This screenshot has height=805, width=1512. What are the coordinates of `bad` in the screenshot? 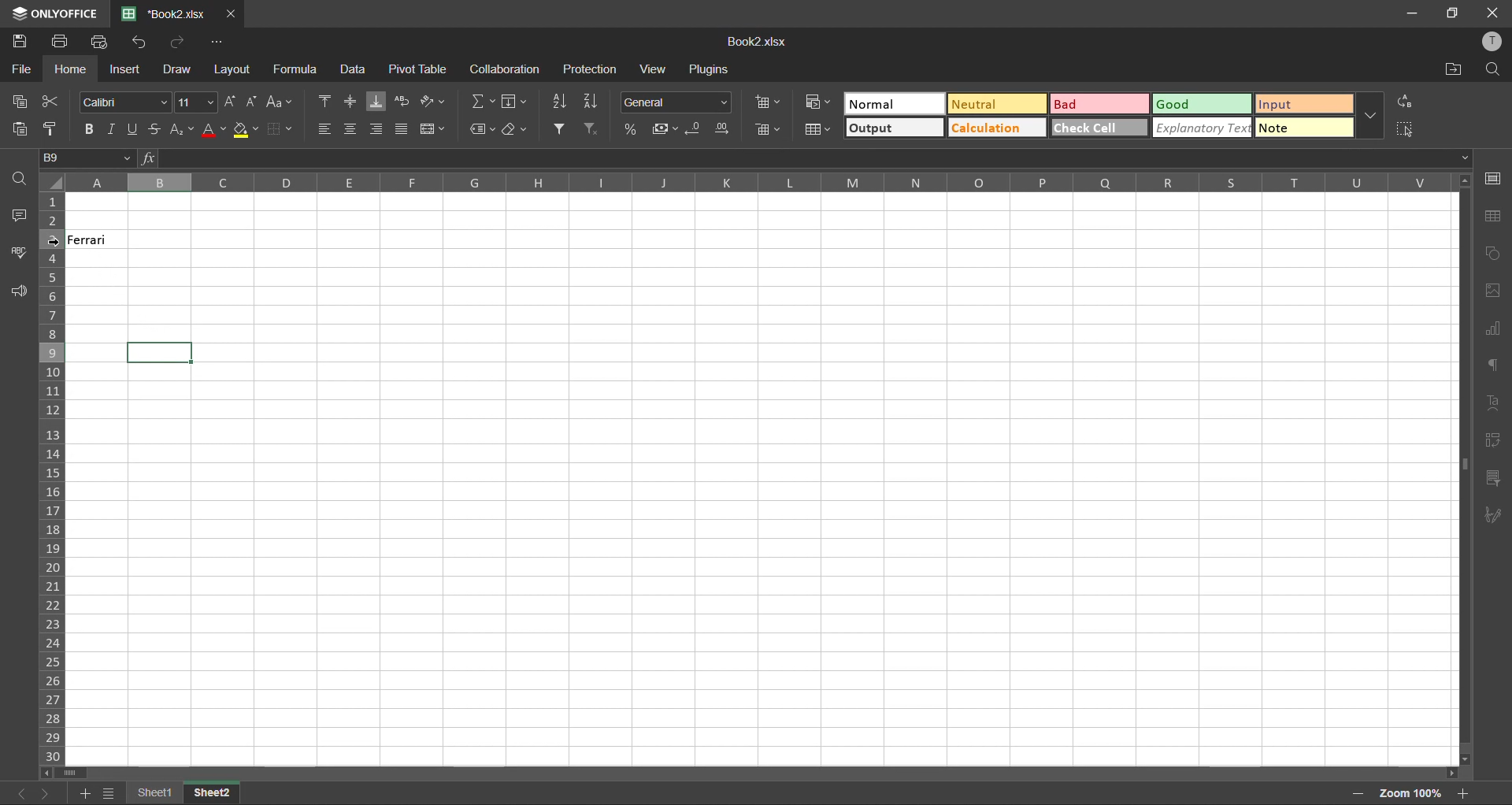 It's located at (1100, 106).